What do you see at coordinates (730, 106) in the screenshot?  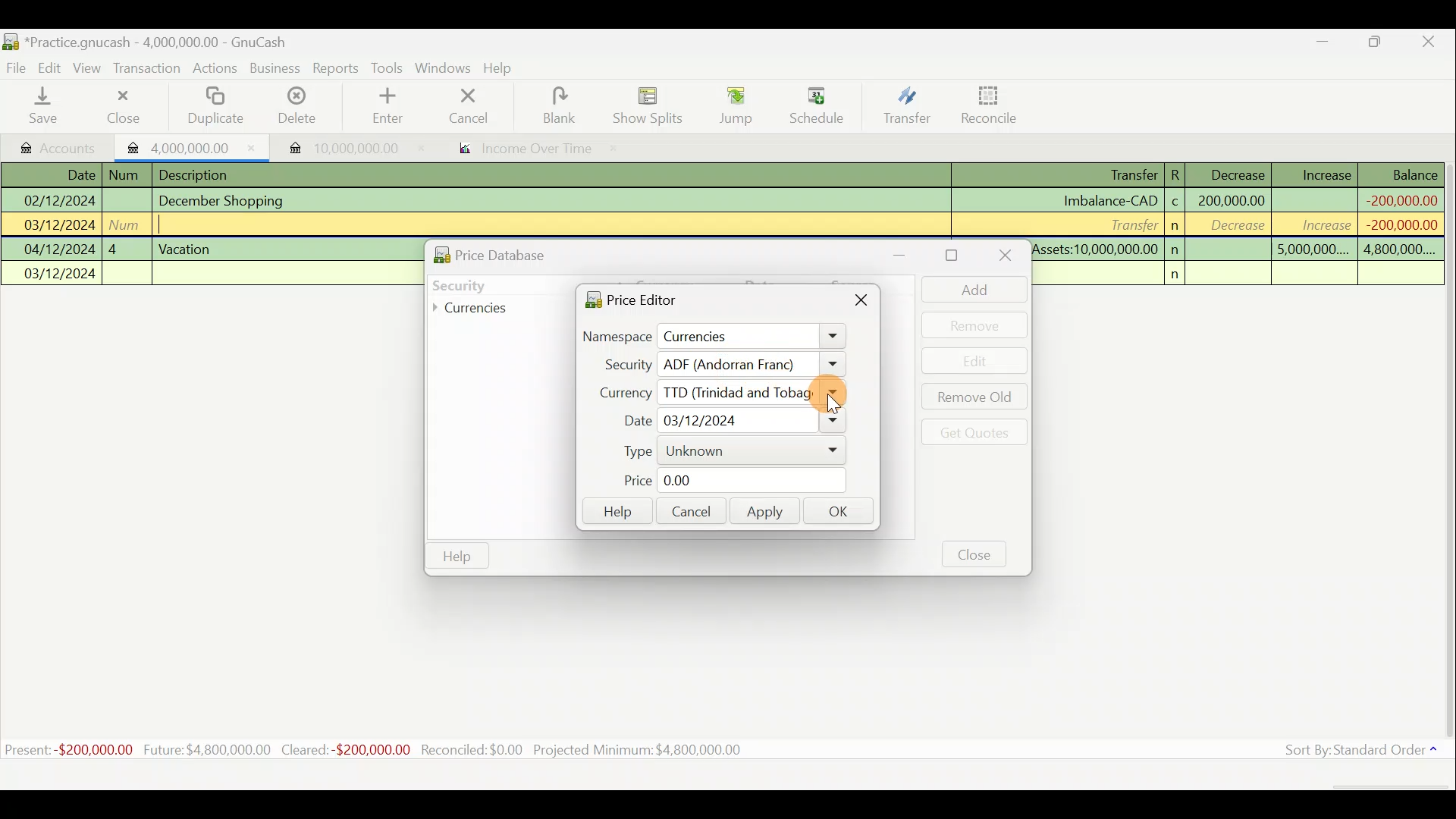 I see `Jump` at bounding box center [730, 106].